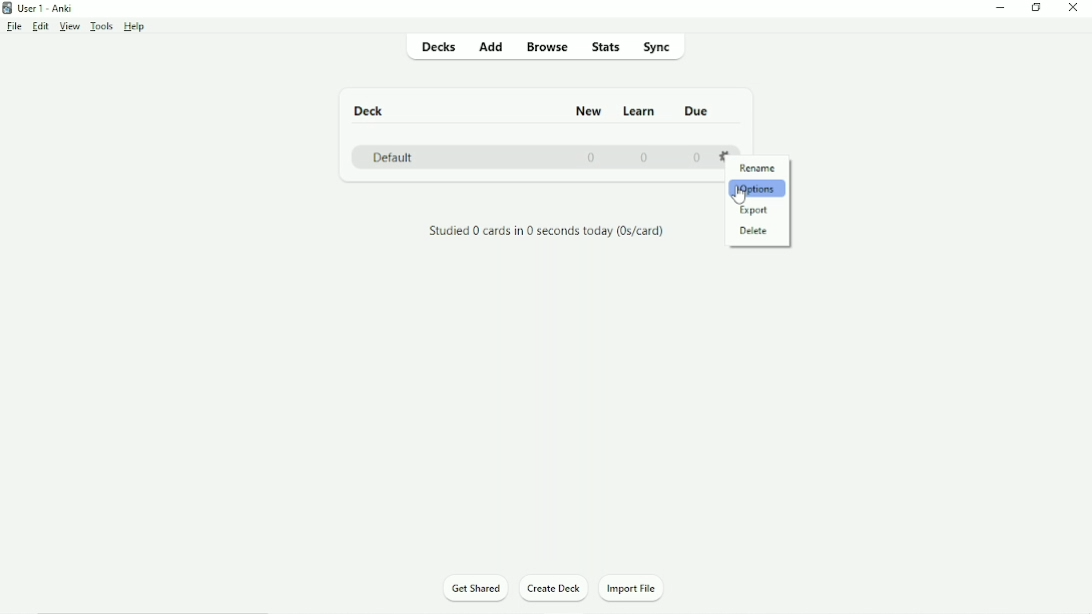 This screenshot has width=1092, height=614. What do you see at coordinates (660, 48) in the screenshot?
I see `Sync` at bounding box center [660, 48].